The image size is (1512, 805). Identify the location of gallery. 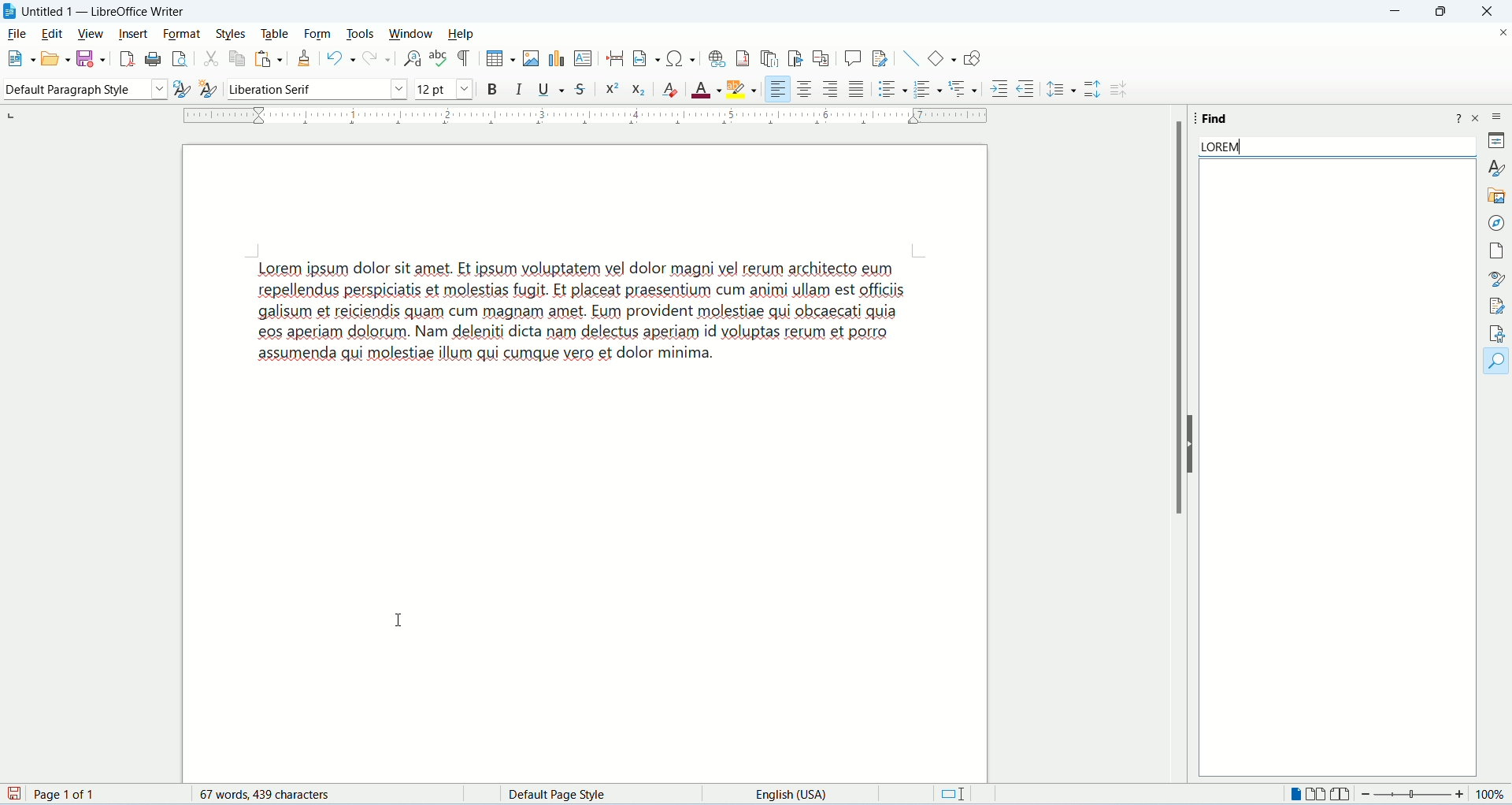
(1495, 194).